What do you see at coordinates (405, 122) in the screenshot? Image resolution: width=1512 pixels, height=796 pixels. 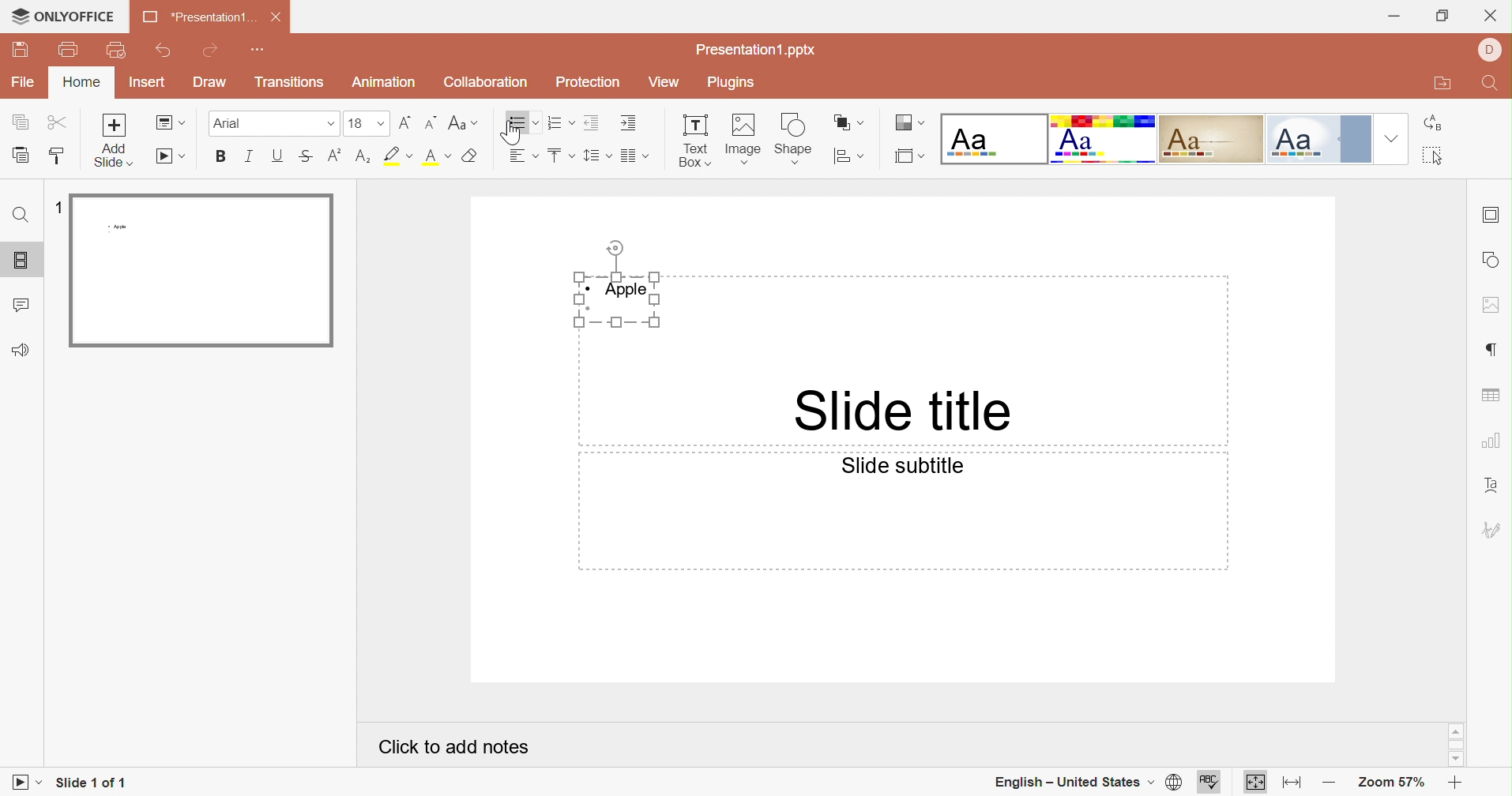 I see `Increment font size` at bounding box center [405, 122].